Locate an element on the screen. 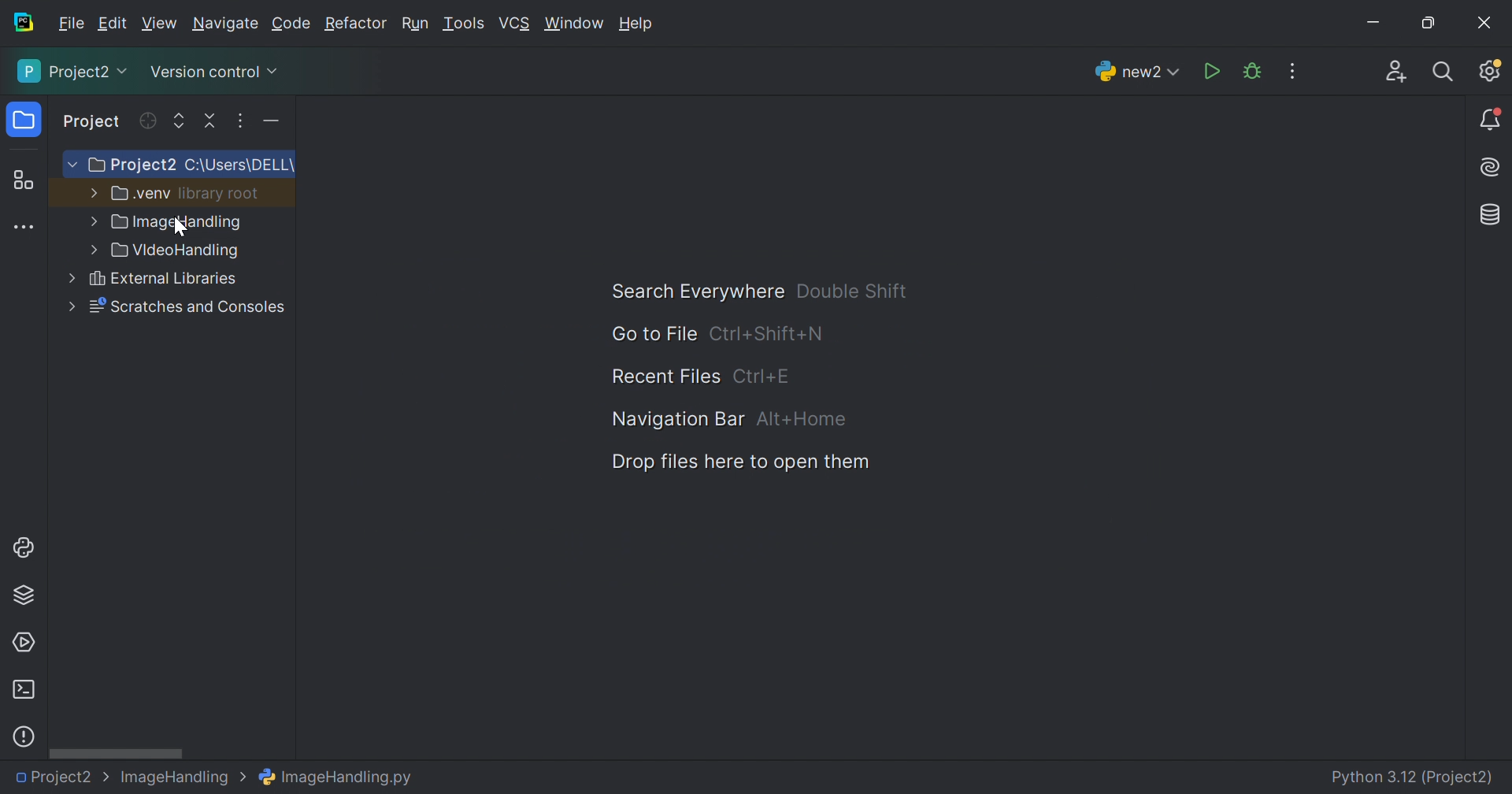  .venv is located at coordinates (141, 194).